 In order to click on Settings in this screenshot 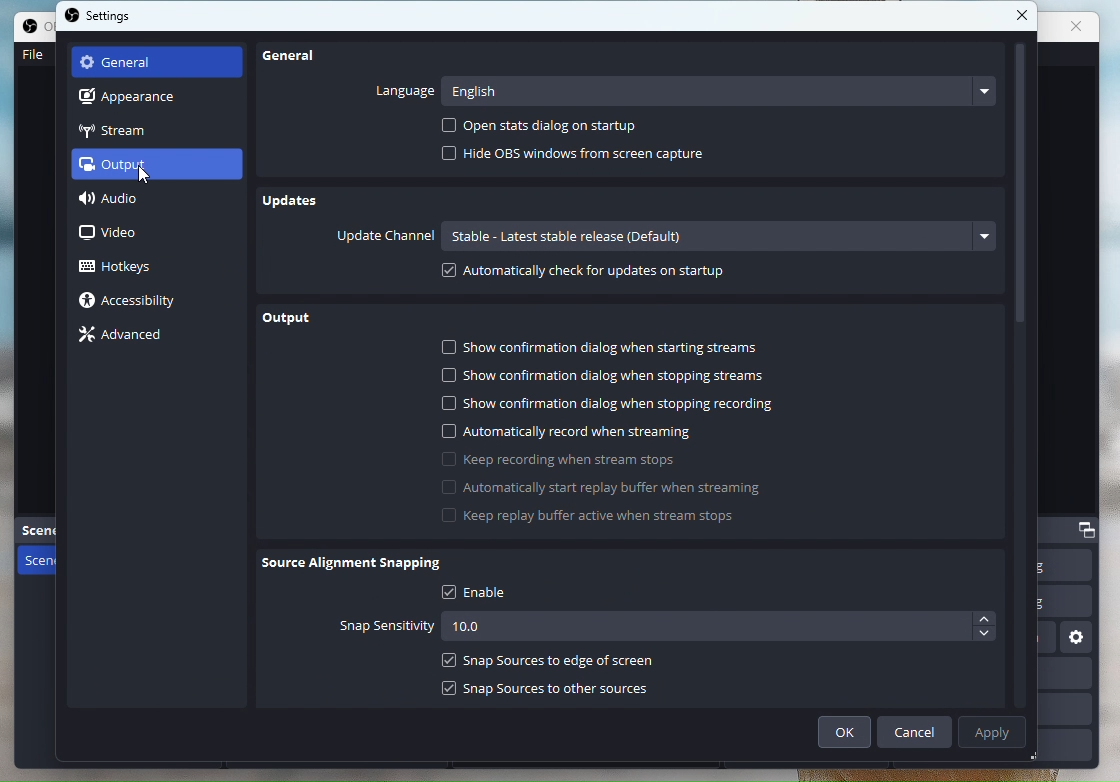, I will do `click(103, 16)`.